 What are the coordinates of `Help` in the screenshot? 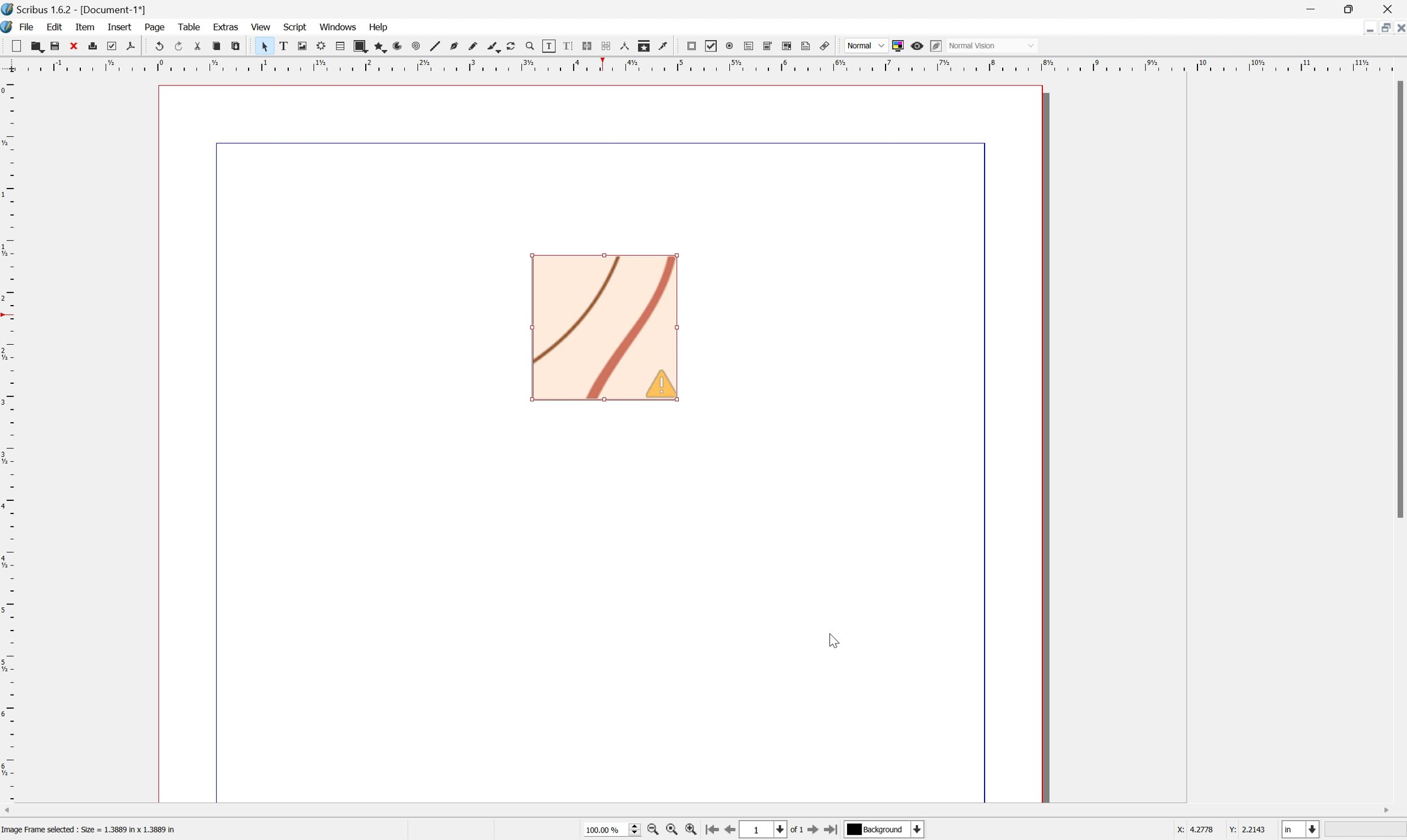 It's located at (378, 27).